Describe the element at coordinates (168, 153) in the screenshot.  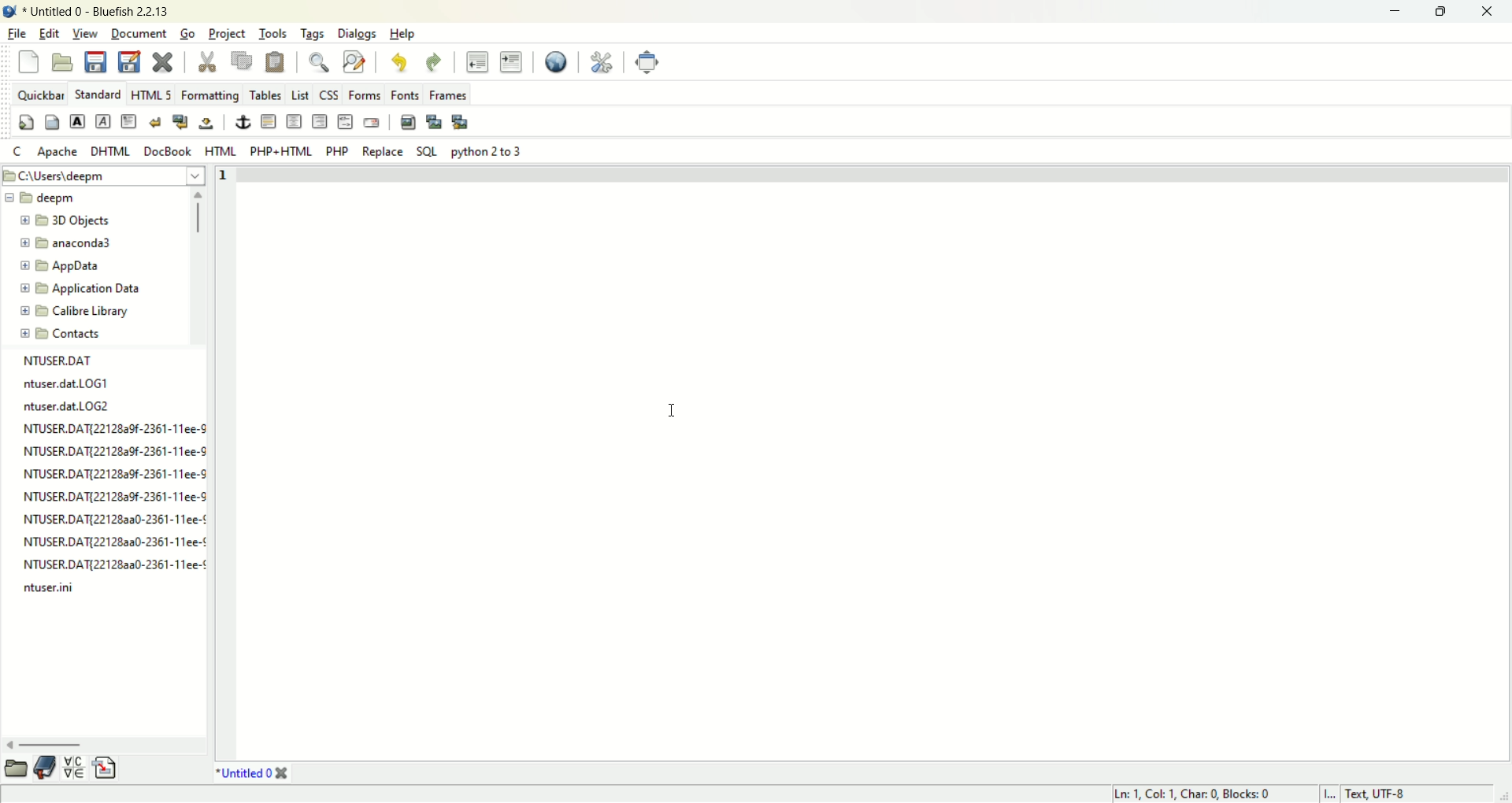
I see `DocBook` at that location.